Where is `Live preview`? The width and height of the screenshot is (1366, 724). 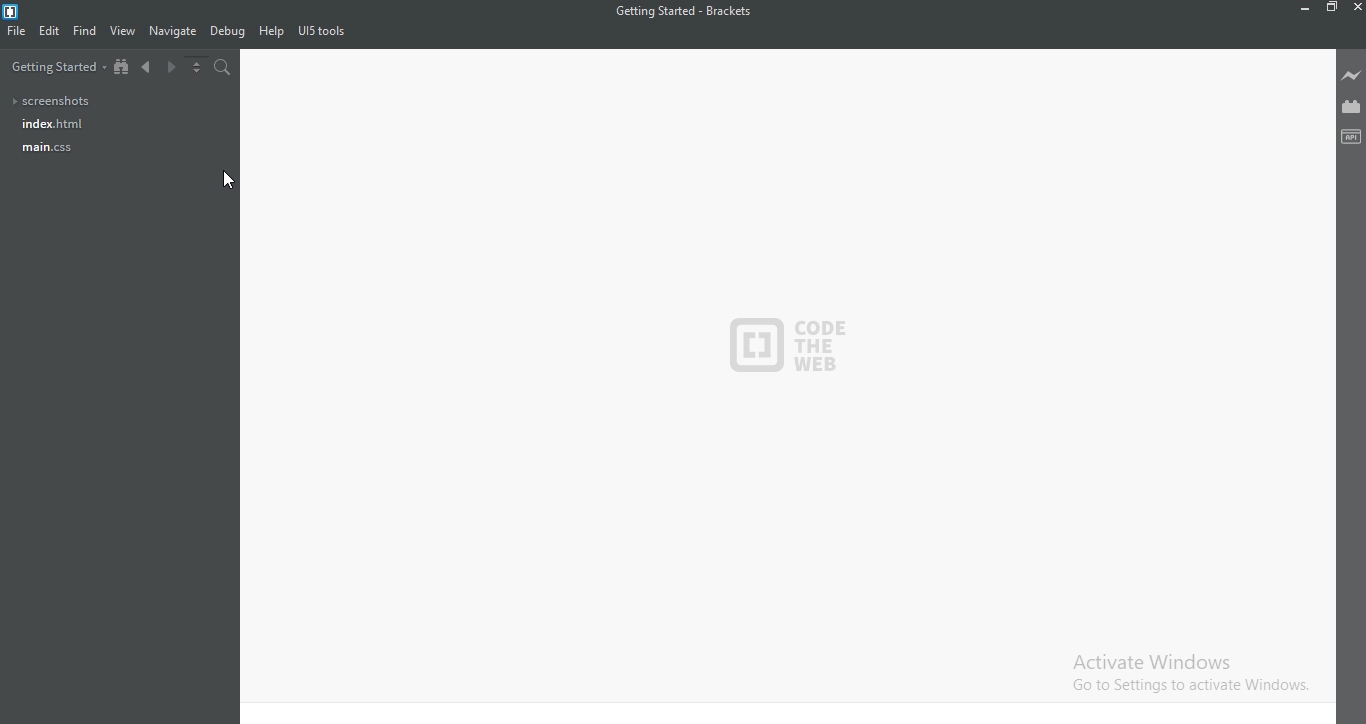
Live preview is located at coordinates (1352, 76).